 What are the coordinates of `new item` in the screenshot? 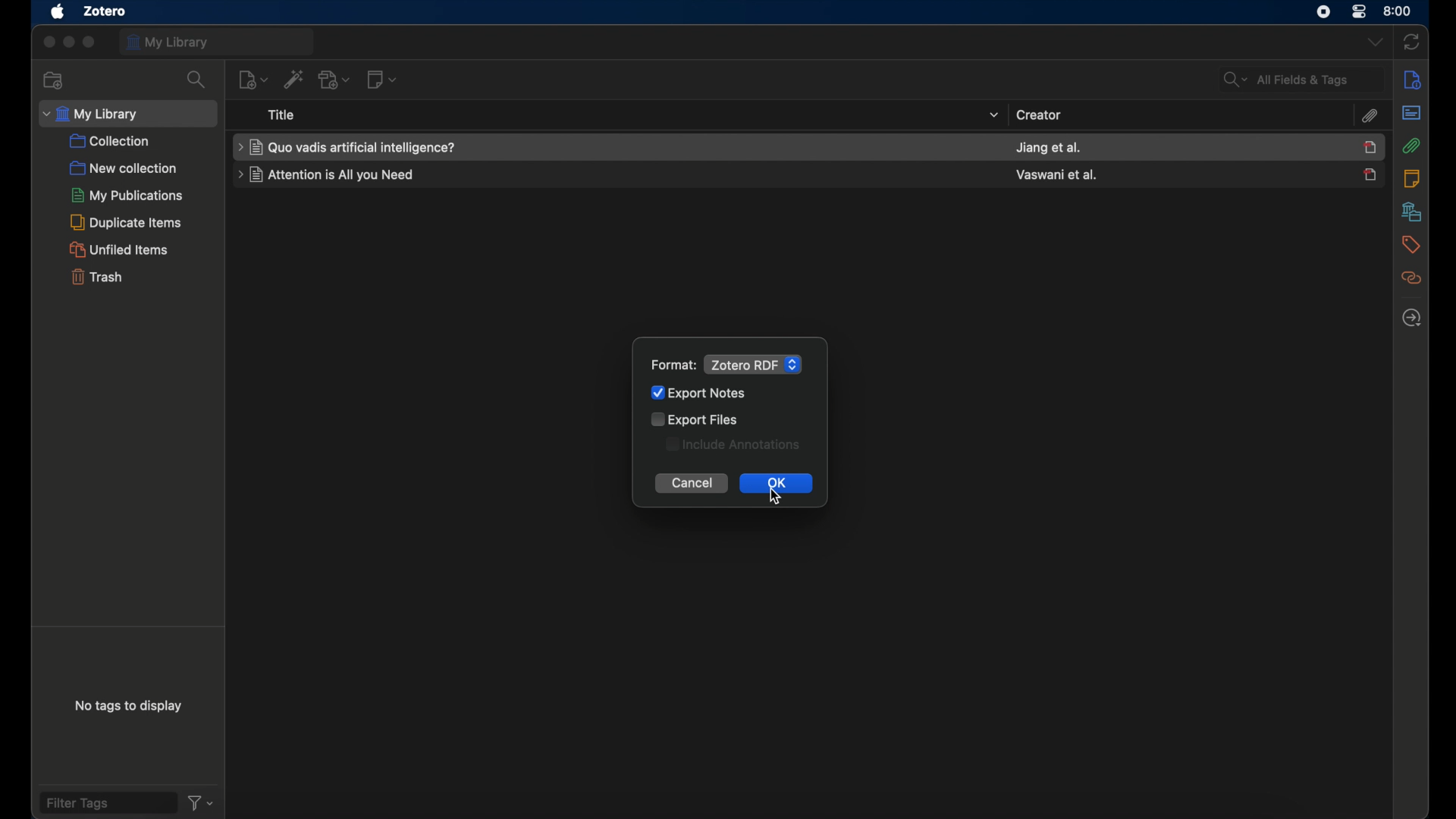 It's located at (253, 79).